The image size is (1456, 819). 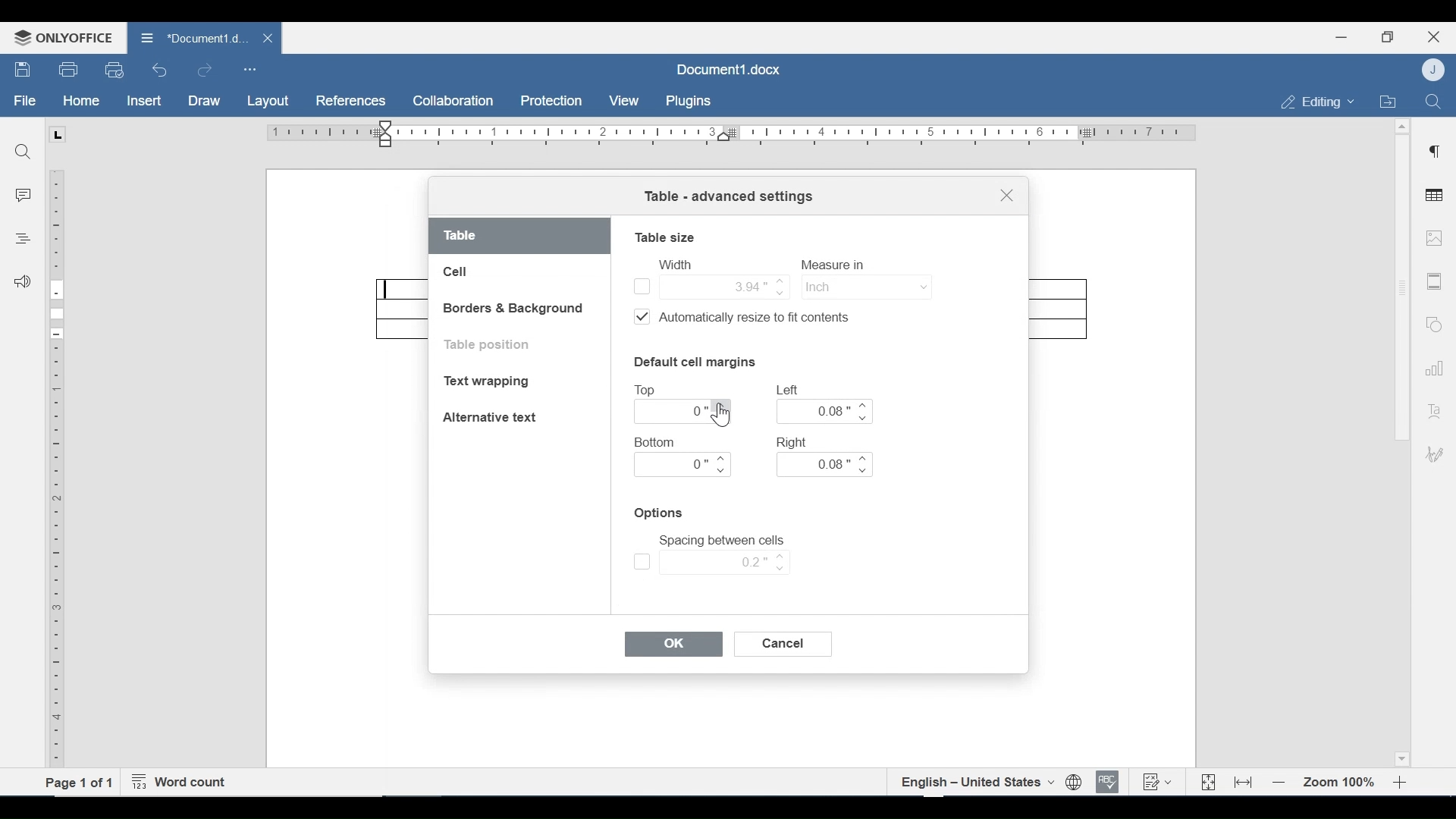 I want to click on Headings, so click(x=22, y=237).